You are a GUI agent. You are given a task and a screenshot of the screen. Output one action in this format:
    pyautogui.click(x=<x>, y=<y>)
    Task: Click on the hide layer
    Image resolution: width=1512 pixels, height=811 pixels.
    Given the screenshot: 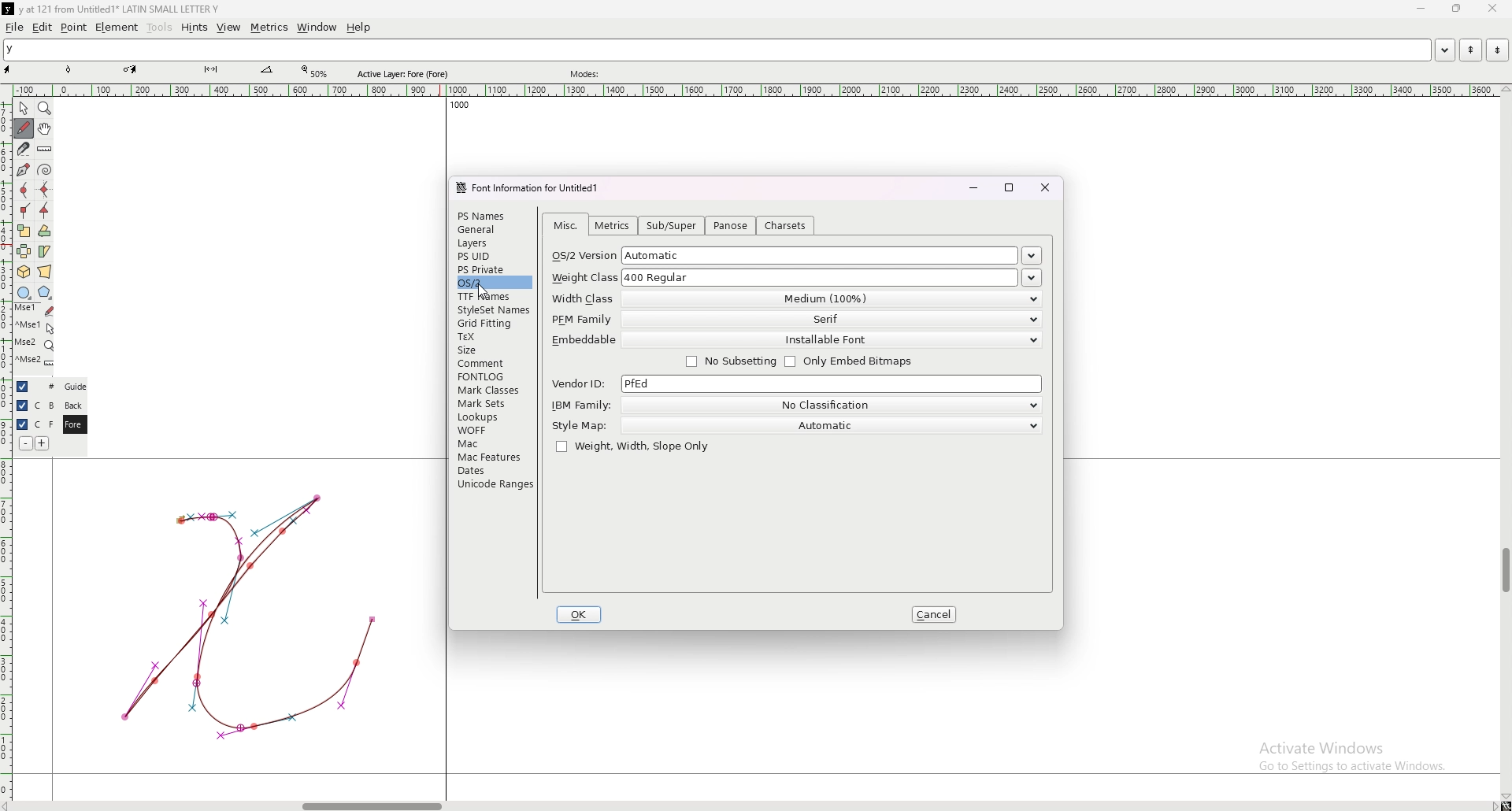 What is the action you would take?
    pyautogui.click(x=23, y=387)
    